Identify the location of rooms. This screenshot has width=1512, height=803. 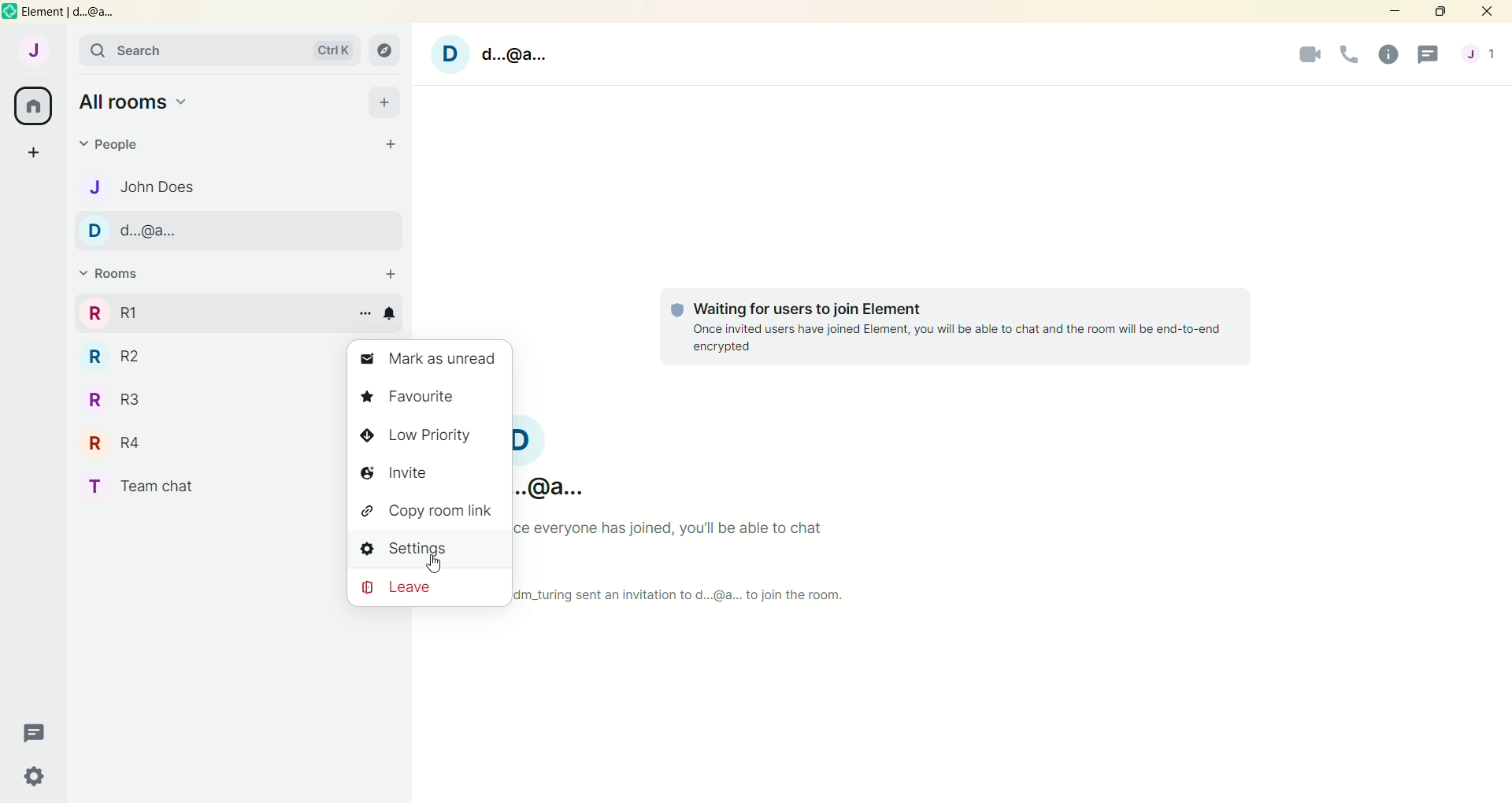
(110, 274).